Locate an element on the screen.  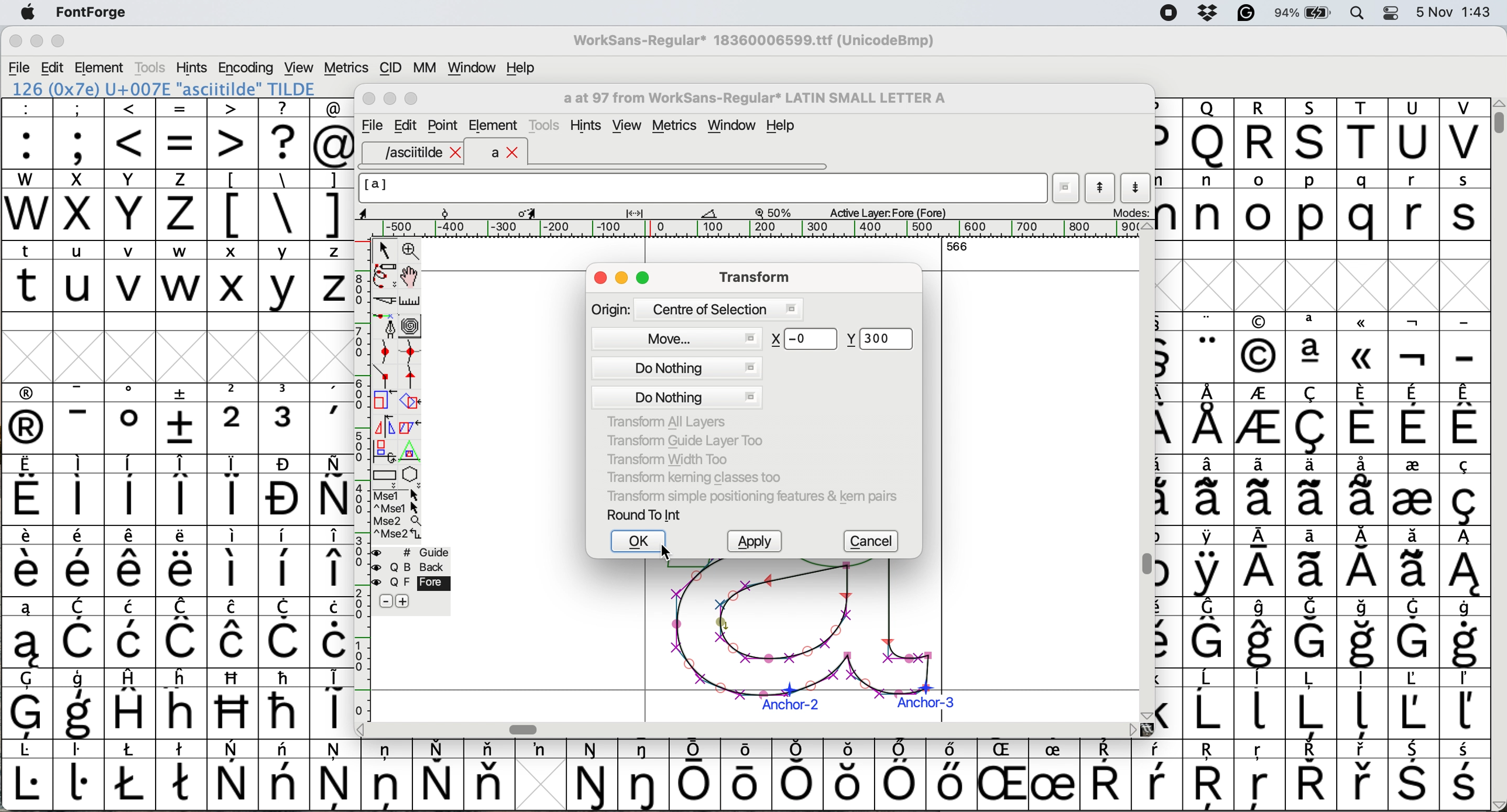
symbol is located at coordinates (1157, 775).